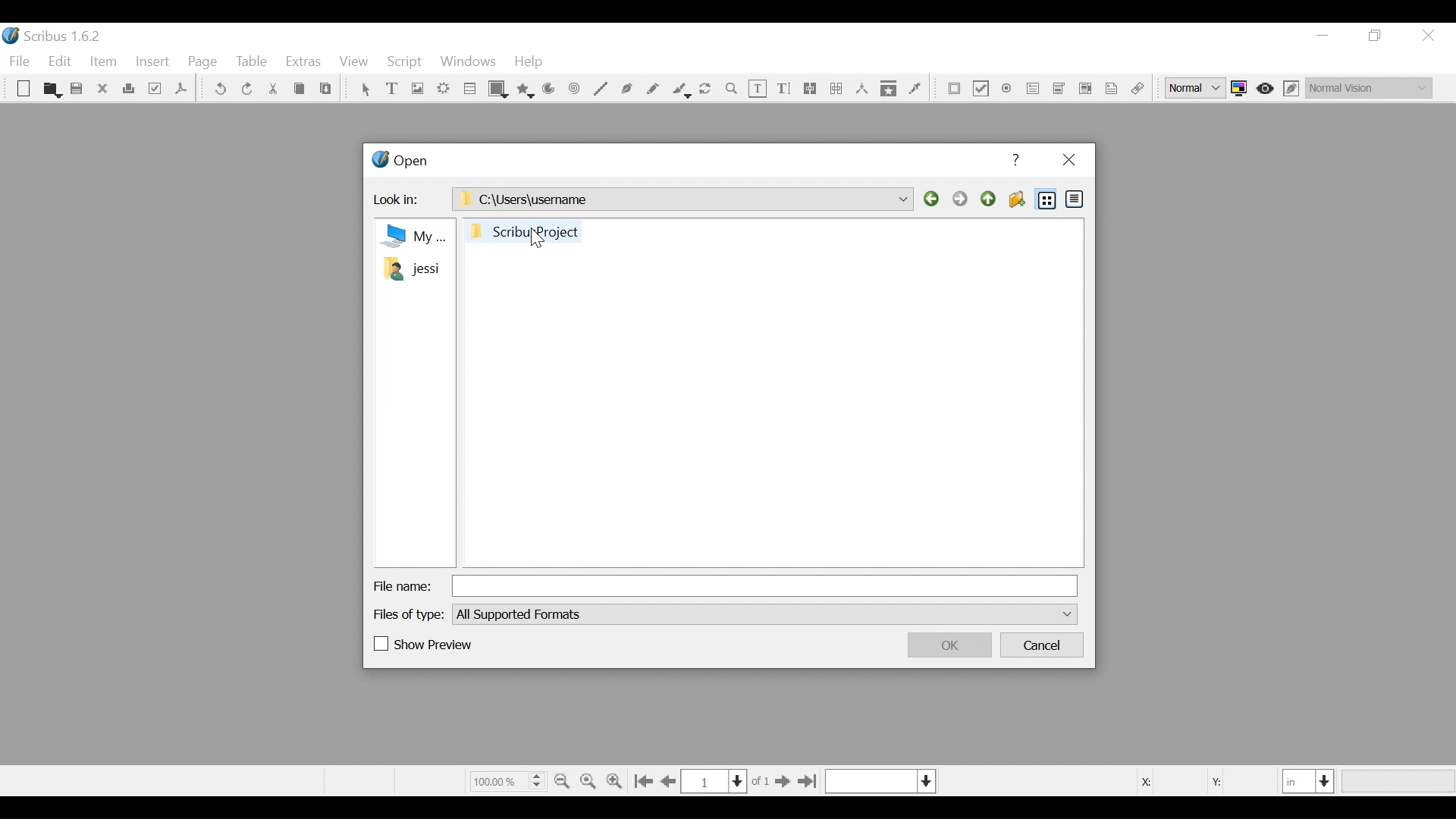  I want to click on Render, so click(444, 90).